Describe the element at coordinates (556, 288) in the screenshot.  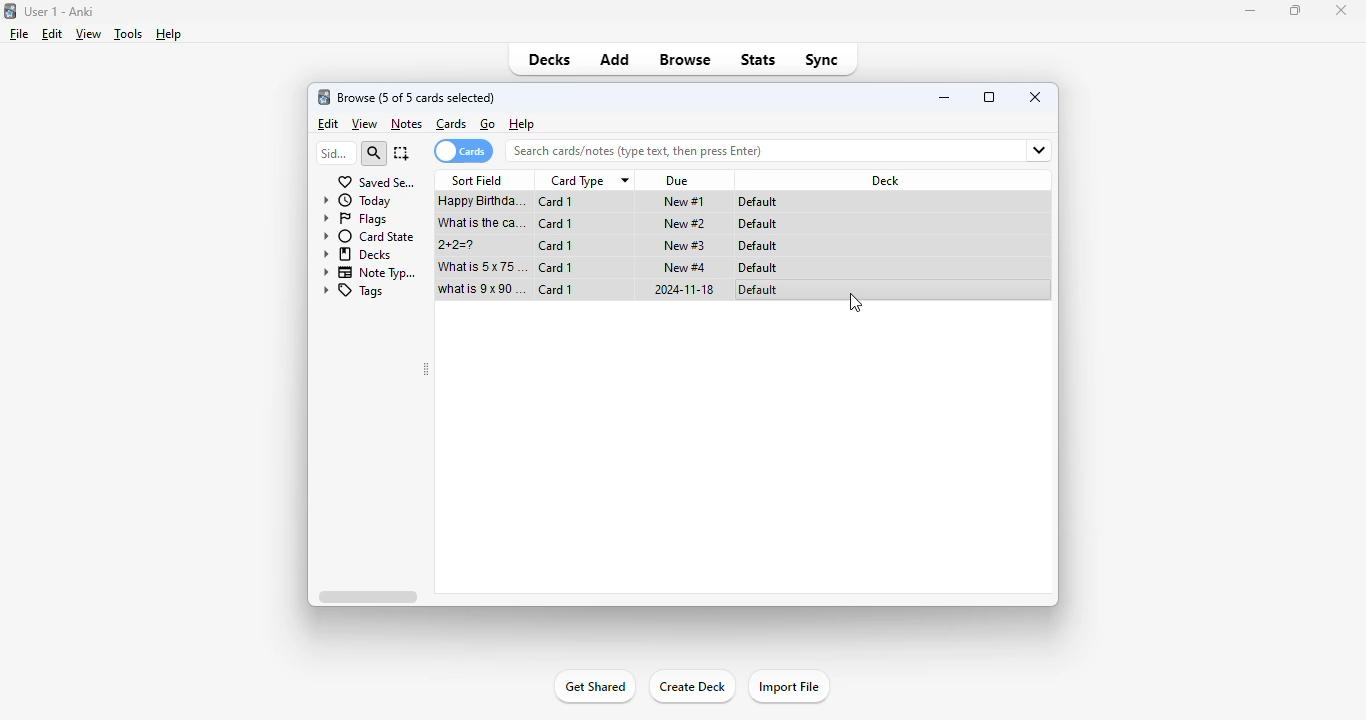
I see `card 1 ` at that location.